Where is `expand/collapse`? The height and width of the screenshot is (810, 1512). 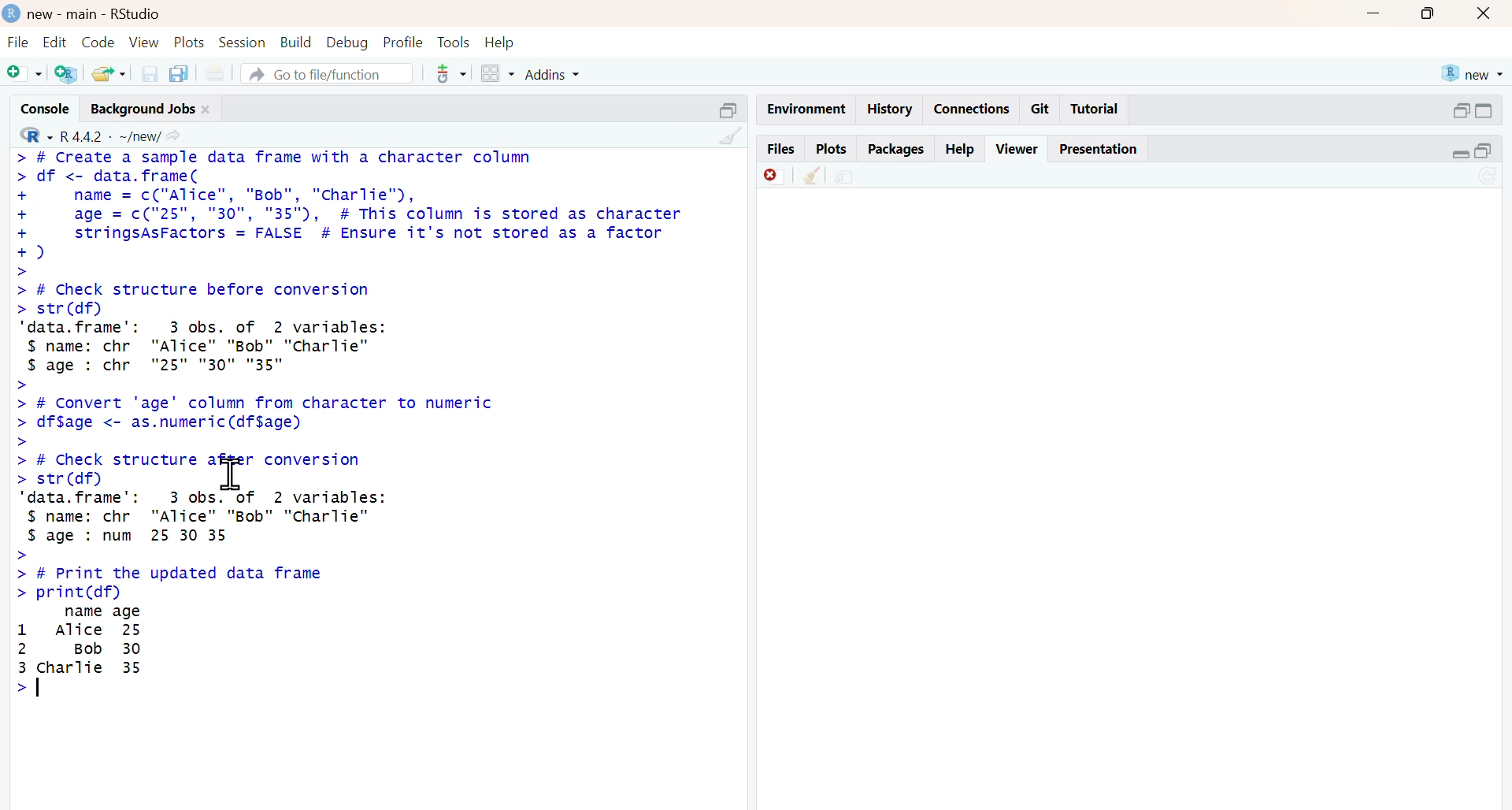 expand/collapse is located at coordinates (1462, 154).